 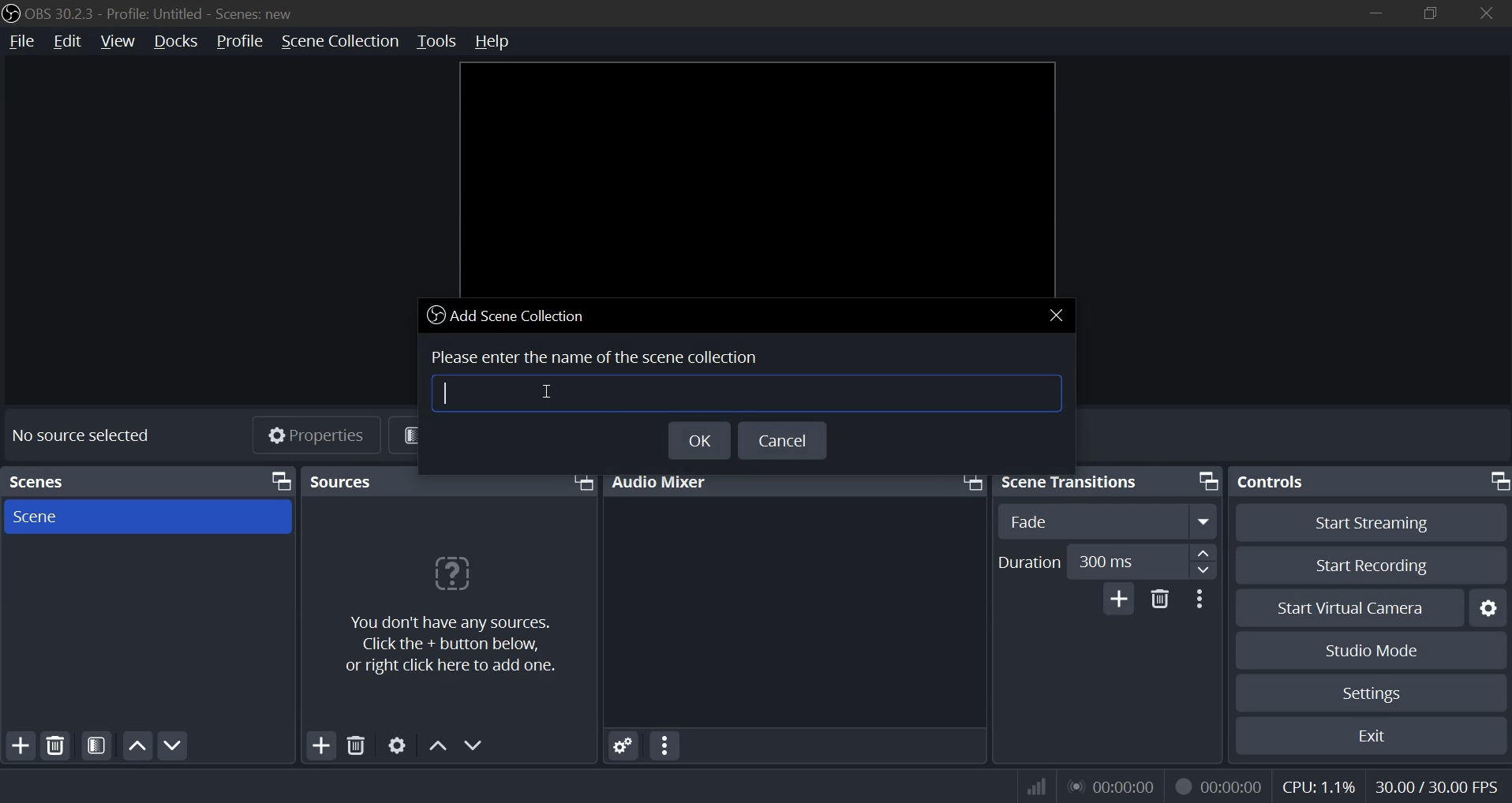 What do you see at coordinates (461, 645) in the screenshot?
I see `You don't have any sources.
Click the + button below,
or right click here to add one.` at bounding box center [461, 645].